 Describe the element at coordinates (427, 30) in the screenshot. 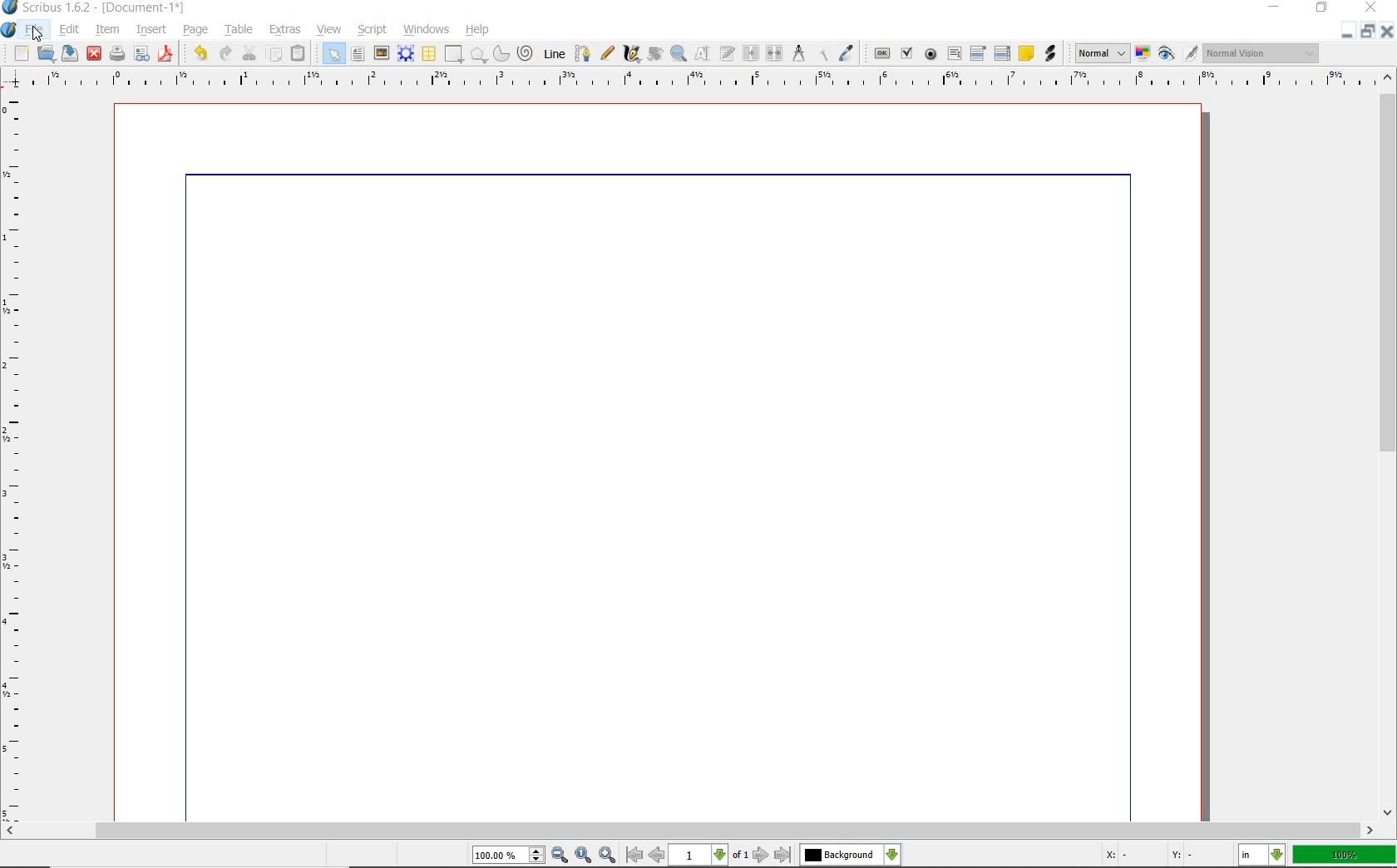

I see `windows` at that location.